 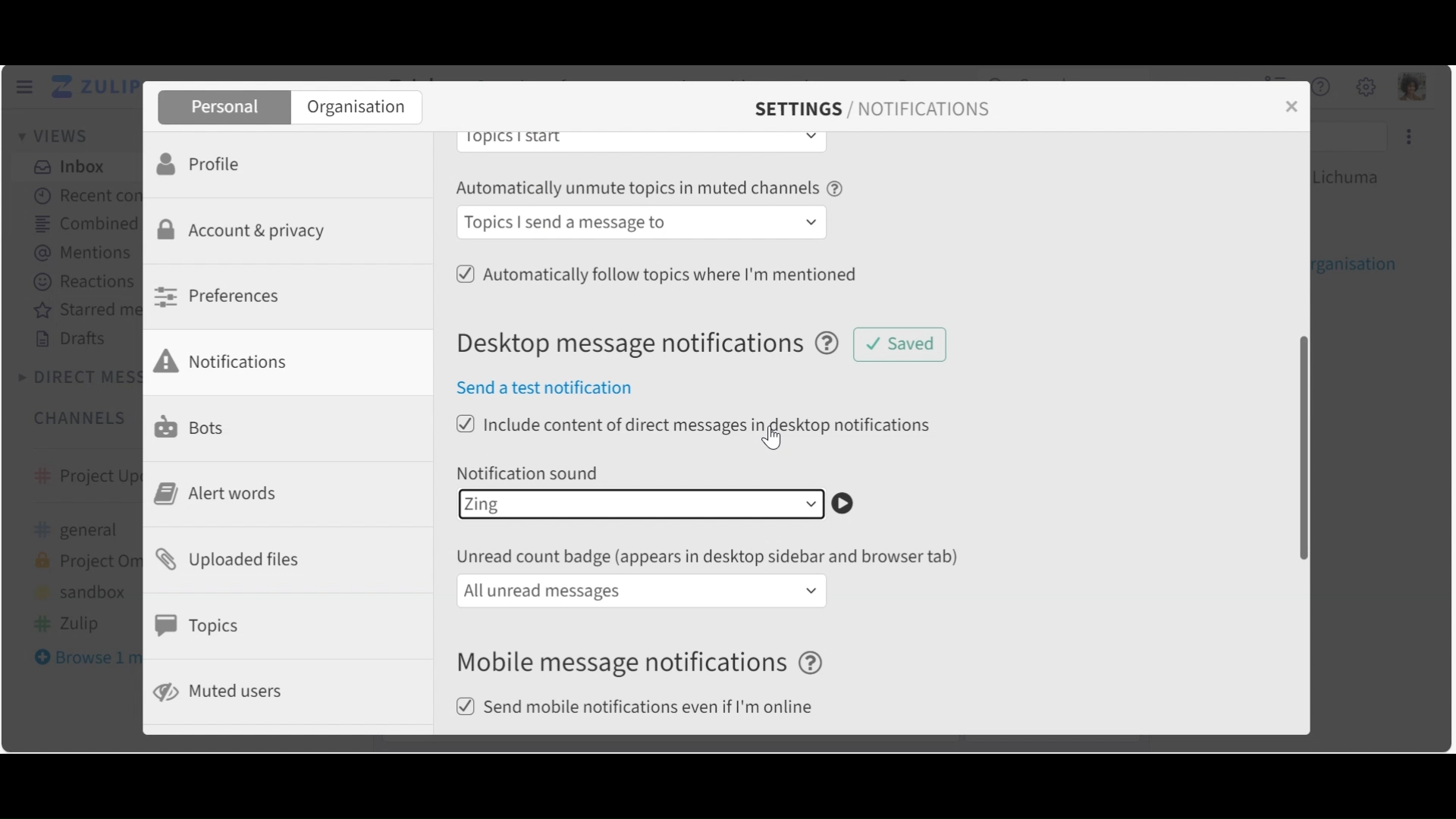 What do you see at coordinates (695, 425) in the screenshot?
I see `(un)select include content of direct messages in desktop notifications` at bounding box center [695, 425].